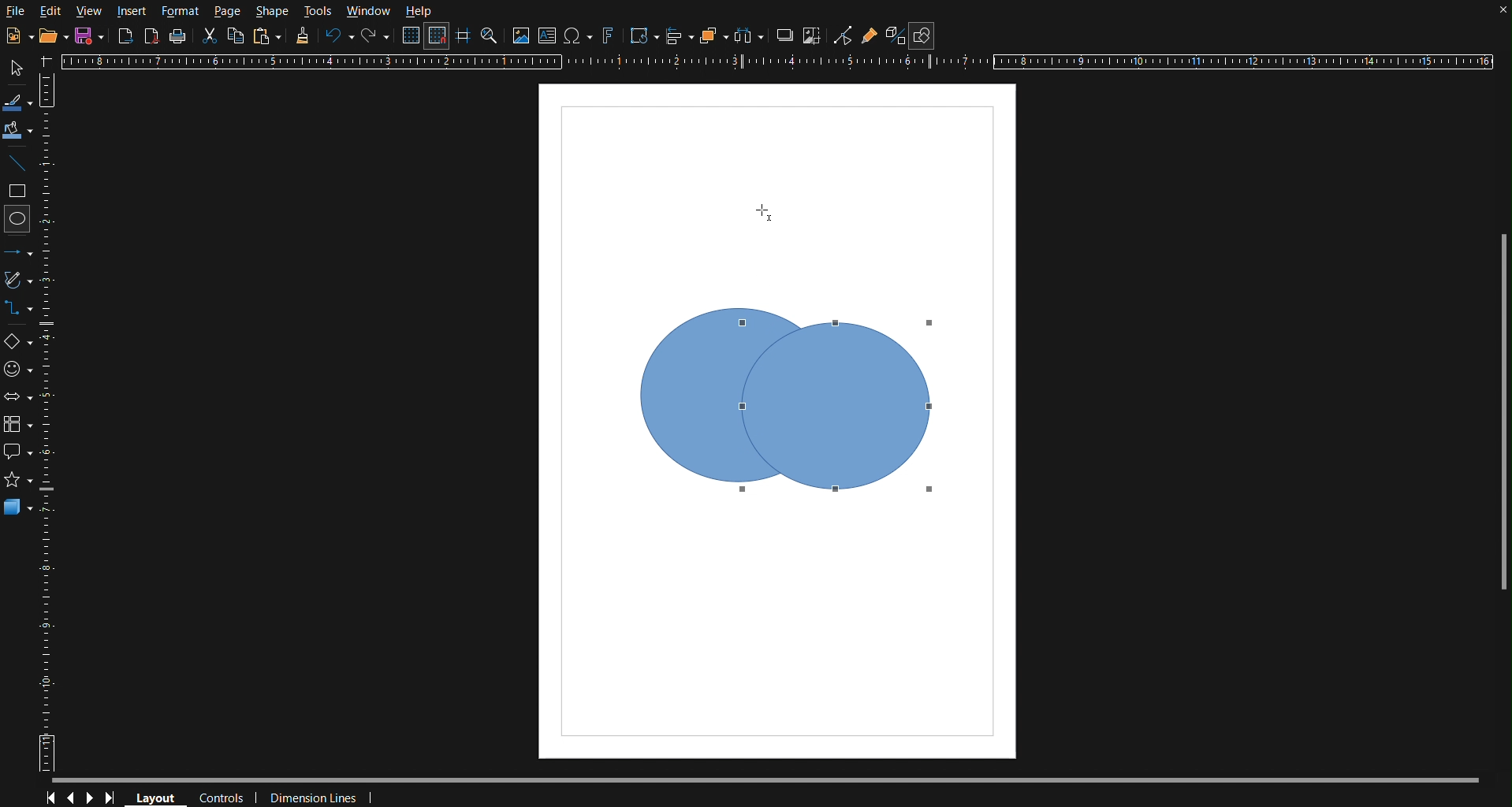 This screenshot has width=1512, height=807. Describe the element at coordinates (211, 37) in the screenshot. I see `Cut` at that location.